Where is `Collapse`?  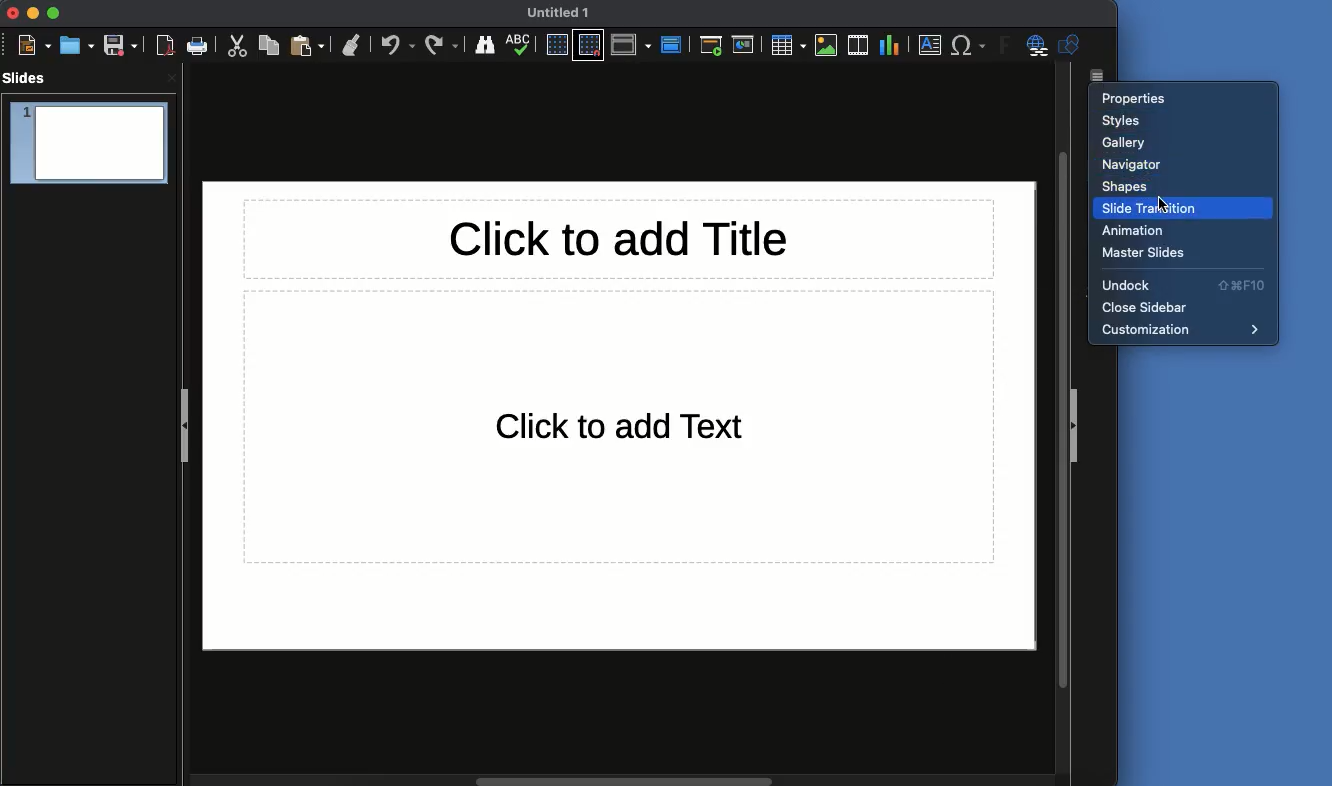 Collapse is located at coordinates (183, 423).